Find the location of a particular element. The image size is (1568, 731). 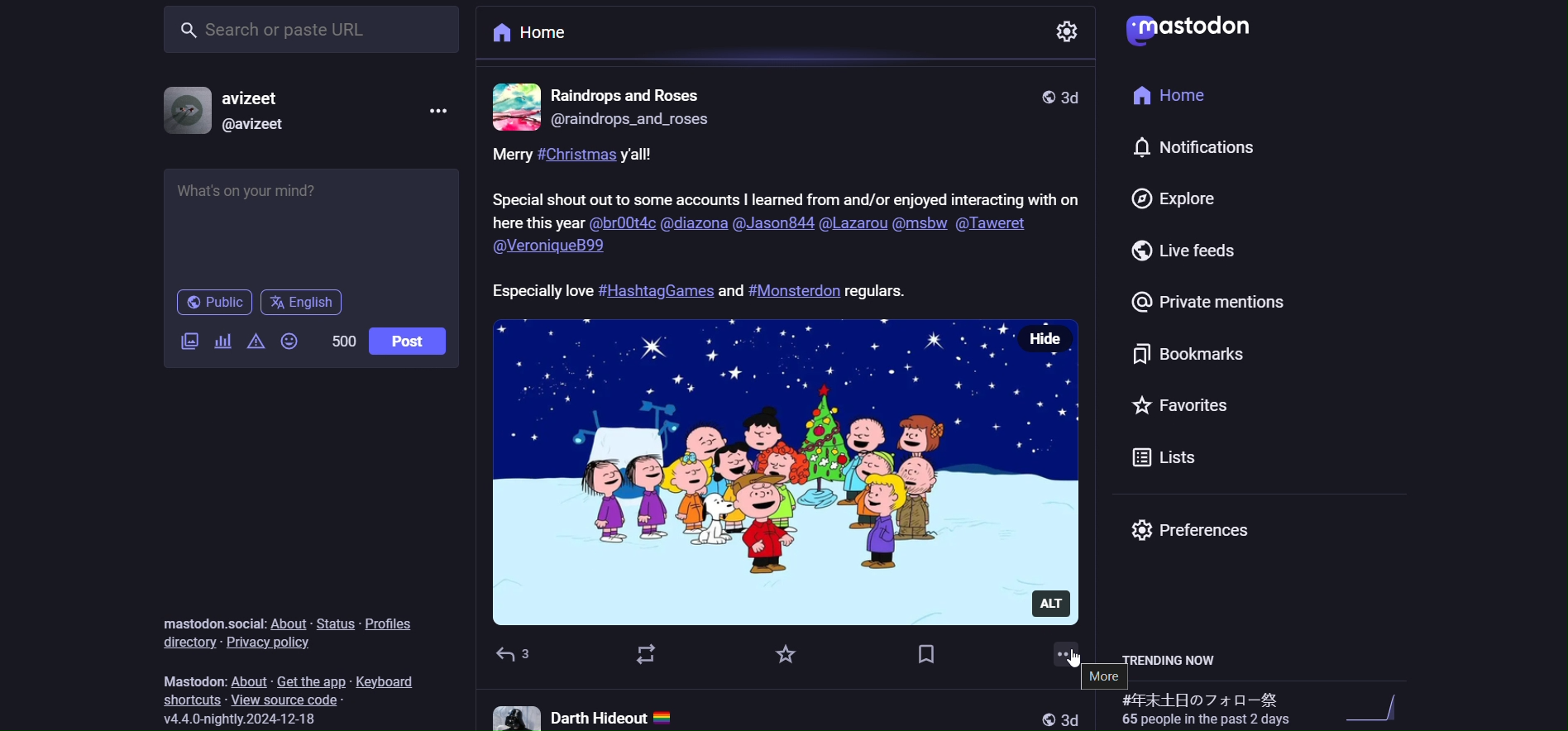

home is located at coordinates (537, 36).